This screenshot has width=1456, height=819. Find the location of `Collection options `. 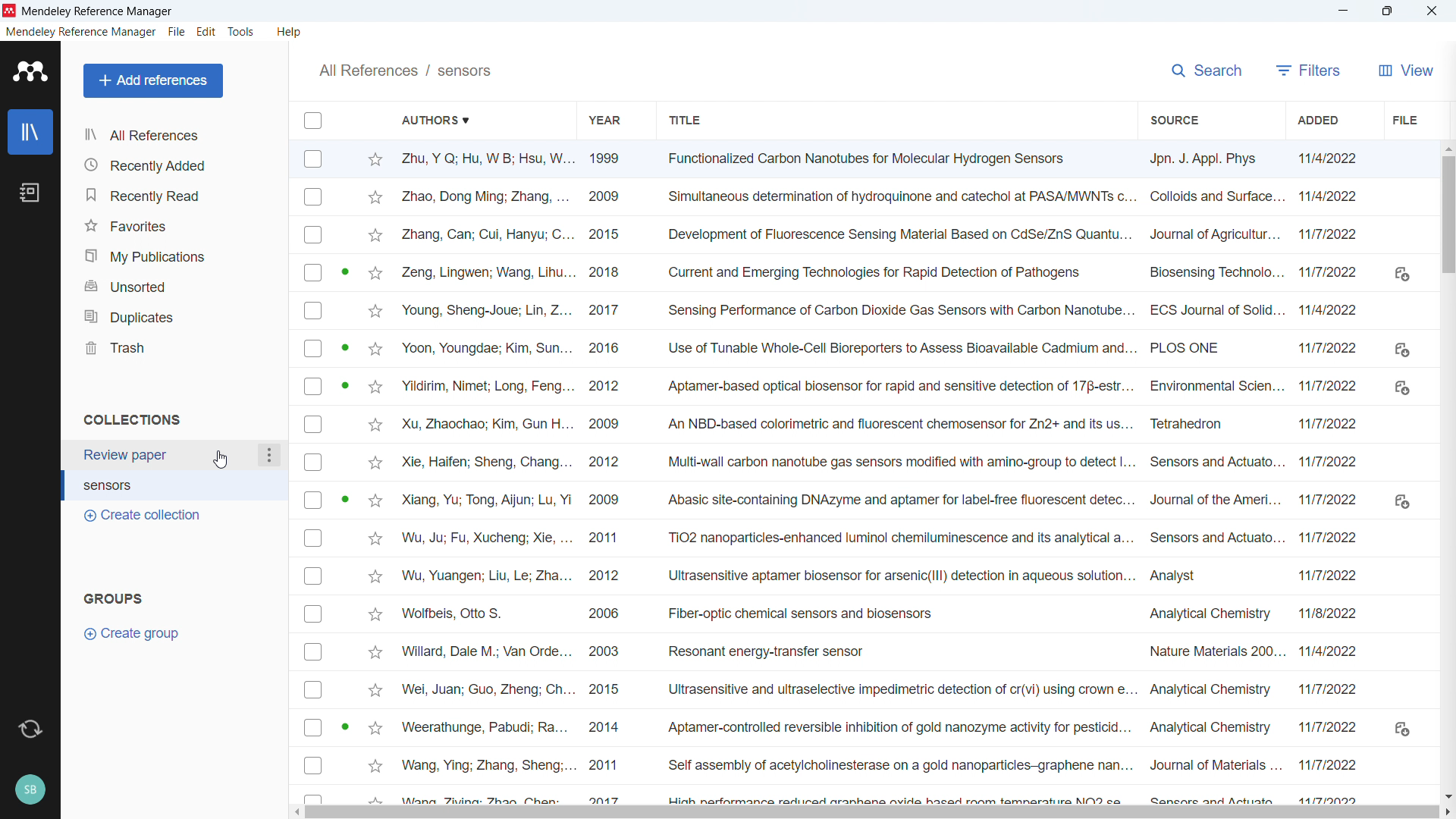

Collection options  is located at coordinates (269, 455).